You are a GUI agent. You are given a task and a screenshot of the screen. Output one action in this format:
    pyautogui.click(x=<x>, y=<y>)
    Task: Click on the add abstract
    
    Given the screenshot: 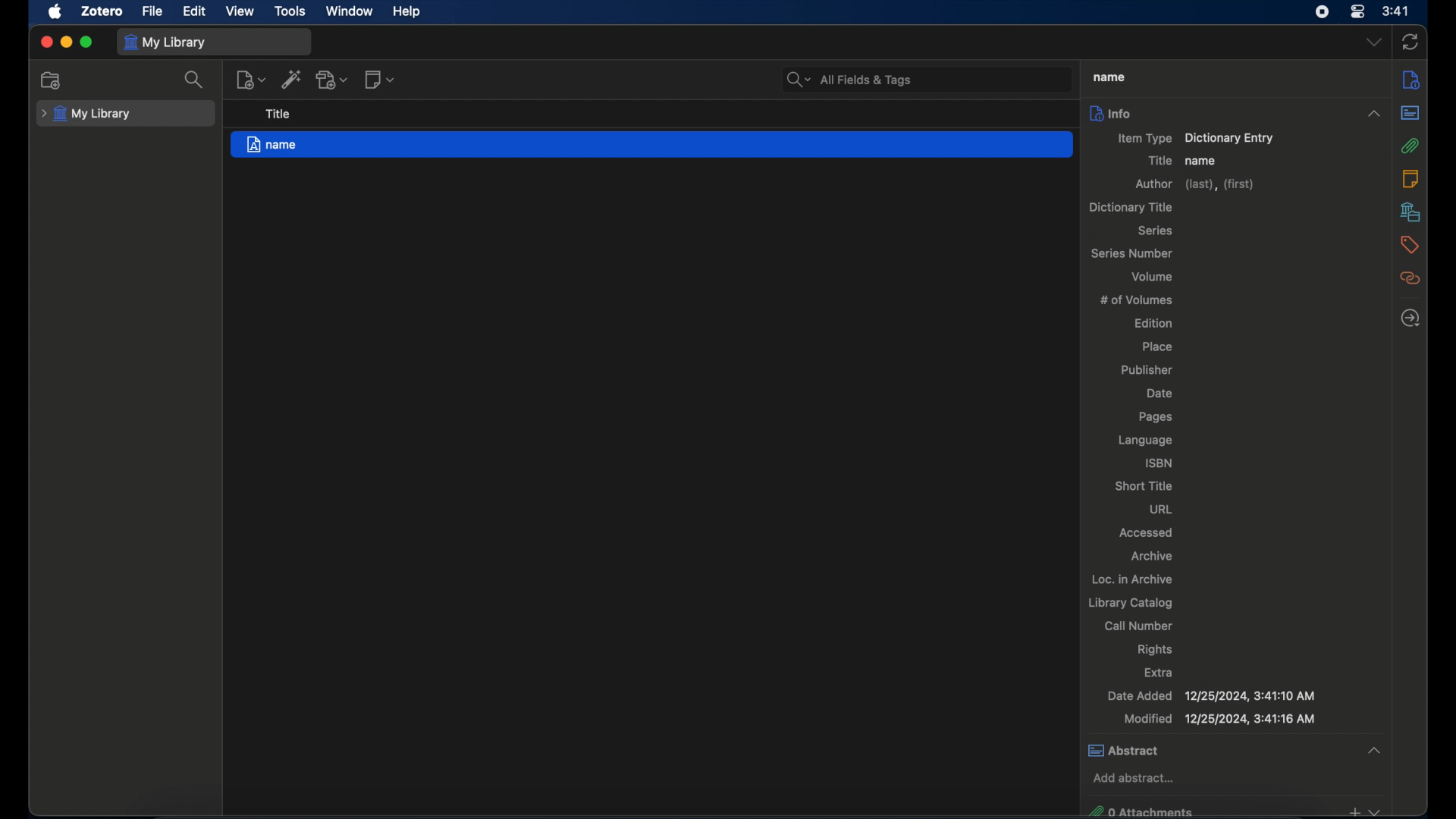 What is the action you would take?
    pyautogui.click(x=1134, y=777)
    